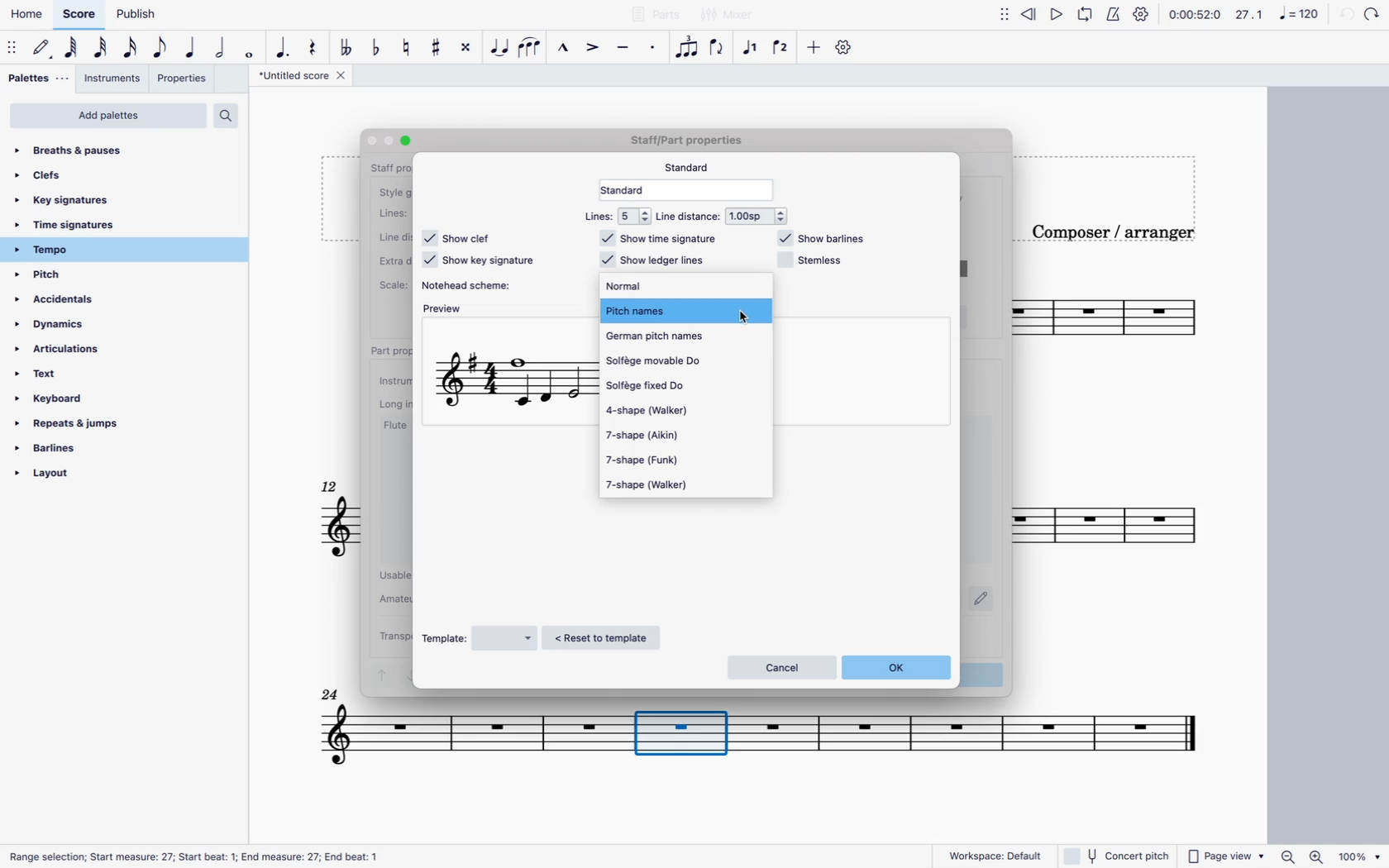  Describe the element at coordinates (656, 460) in the screenshot. I see `7-shape` at that location.